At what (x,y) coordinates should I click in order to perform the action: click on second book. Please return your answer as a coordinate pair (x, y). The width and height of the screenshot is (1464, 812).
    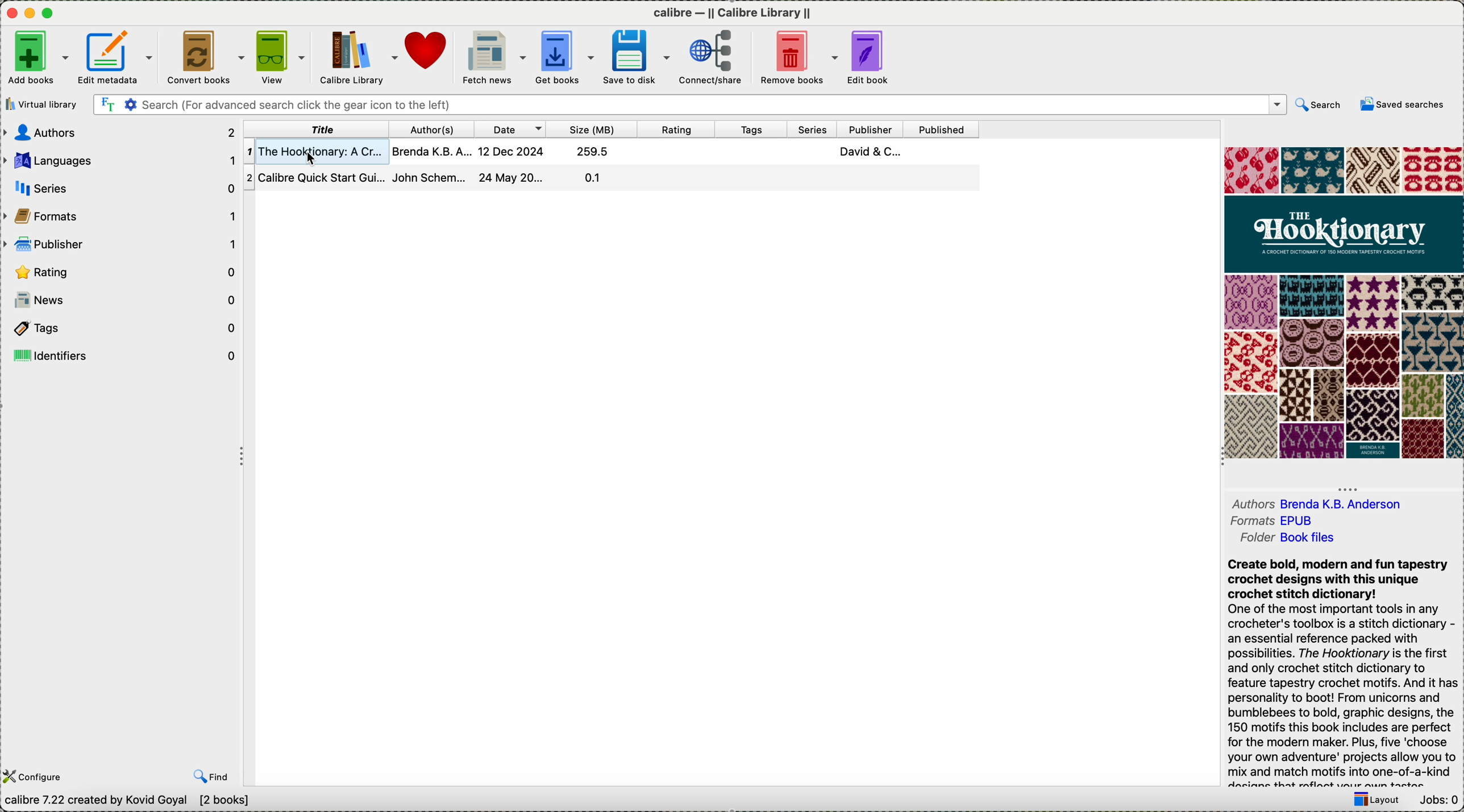
    Looking at the image, I should click on (613, 178).